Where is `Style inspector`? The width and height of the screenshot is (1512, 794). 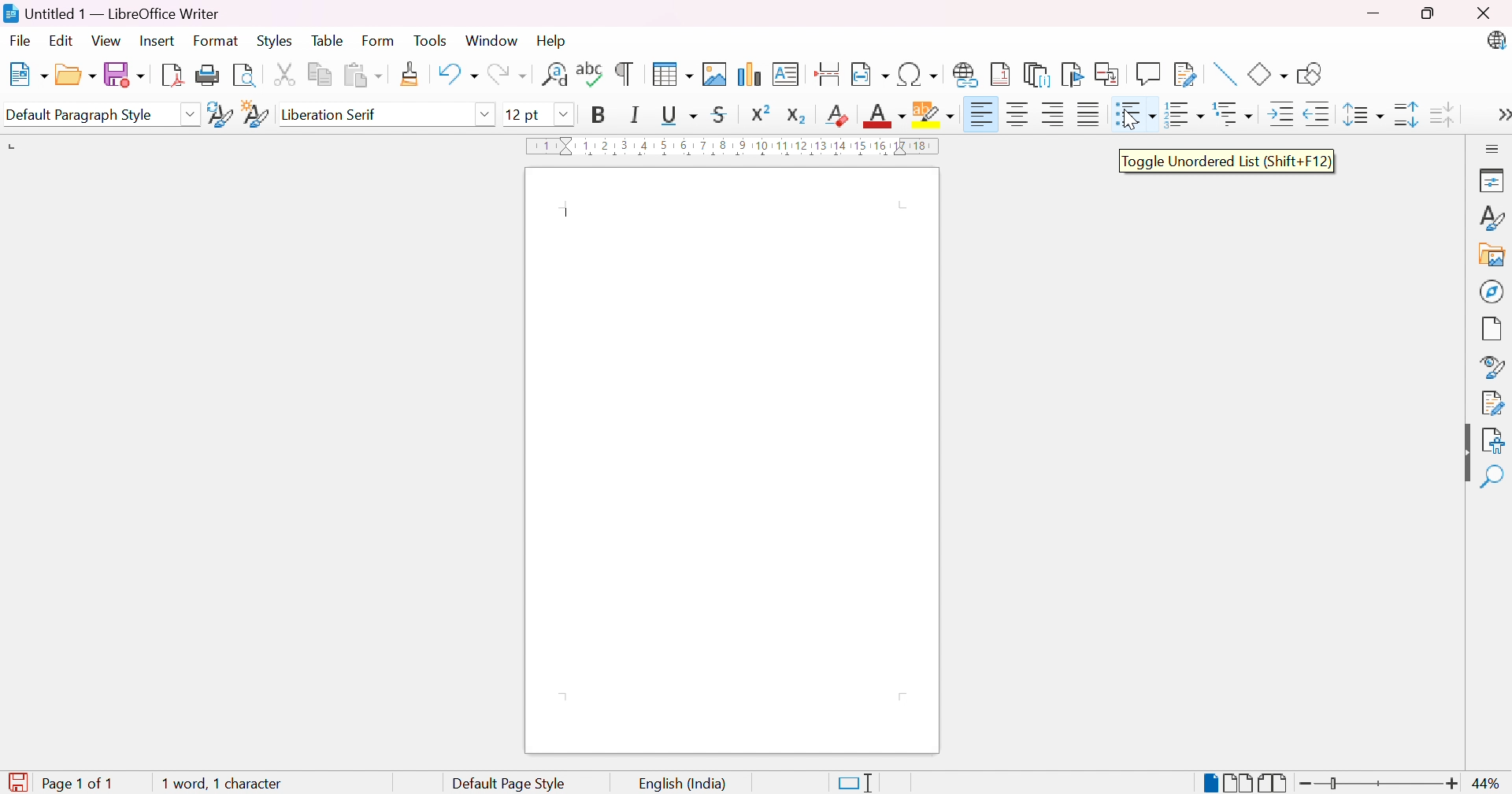 Style inspector is located at coordinates (1489, 365).